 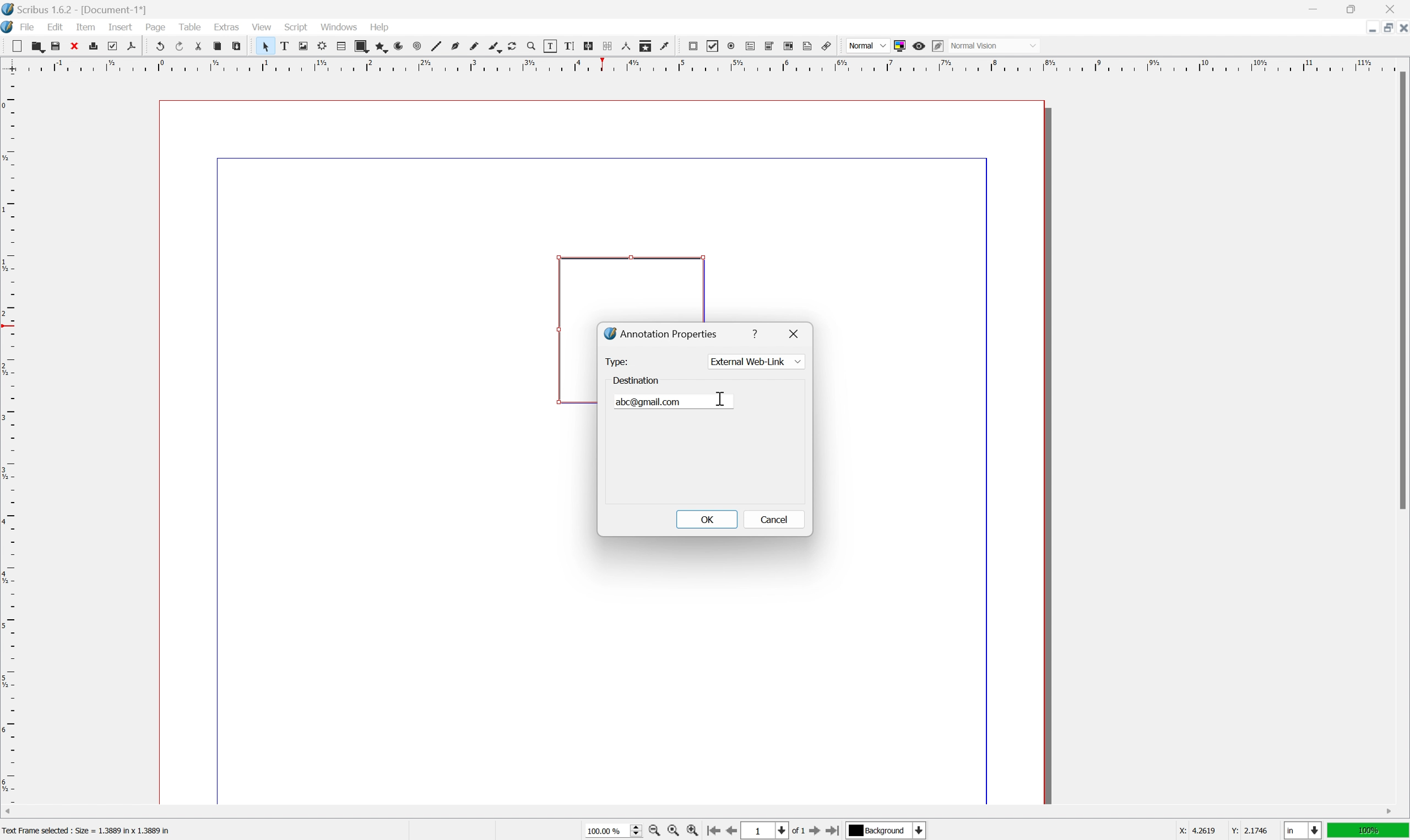 What do you see at coordinates (646, 46) in the screenshot?
I see `copy item properties` at bounding box center [646, 46].